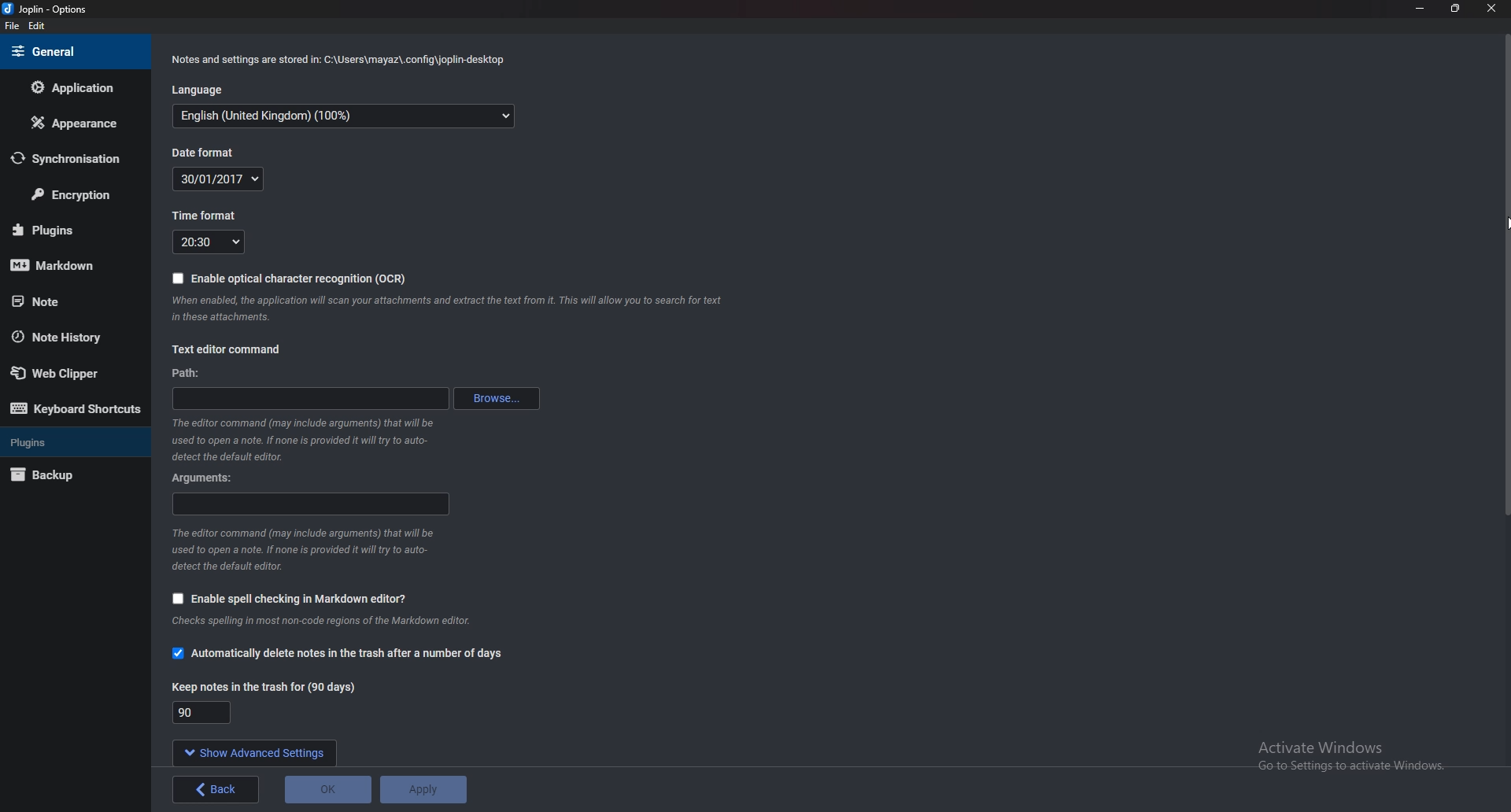  I want to click on Minimize, so click(1422, 8).